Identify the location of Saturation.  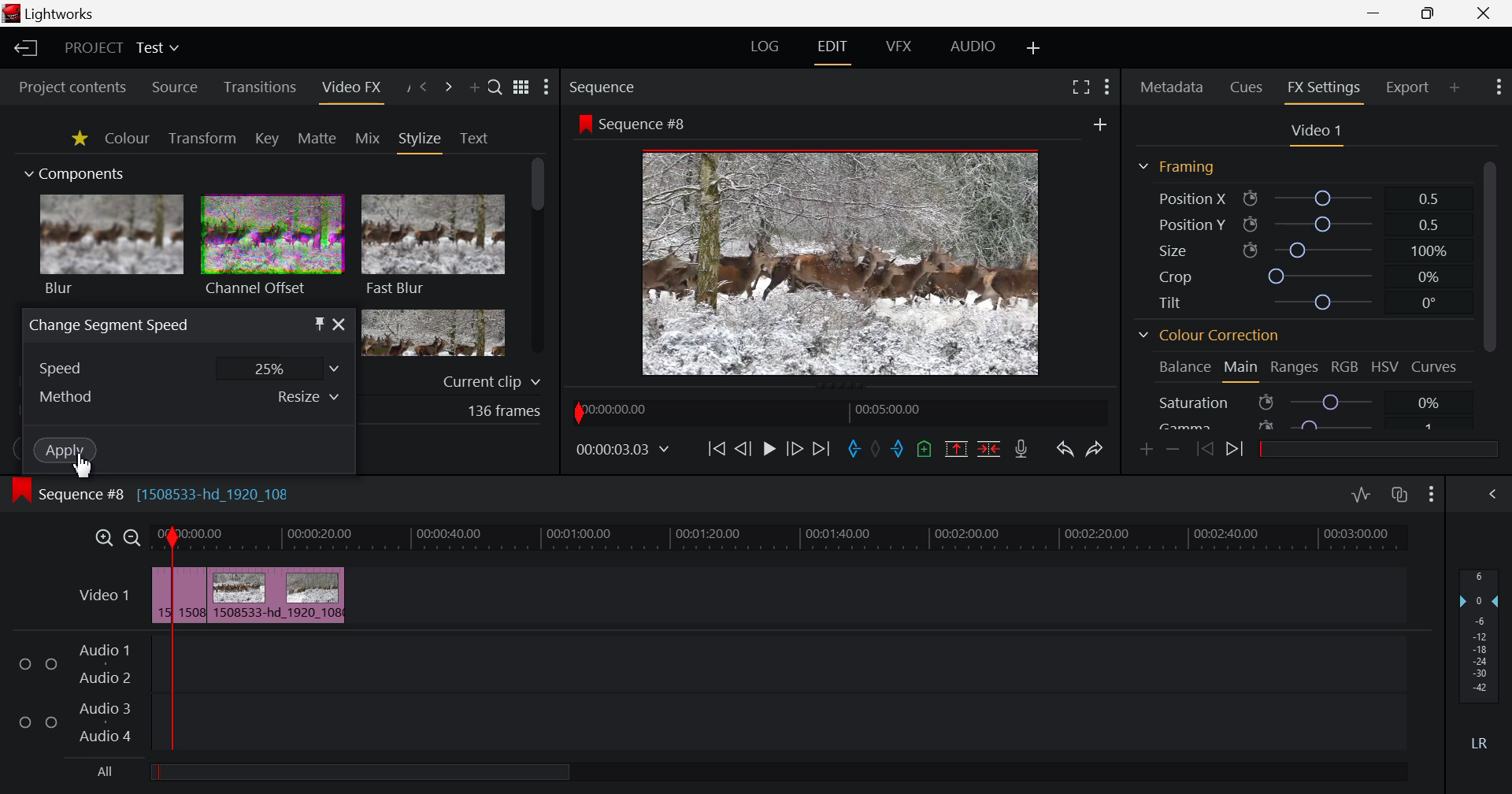
(1310, 400).